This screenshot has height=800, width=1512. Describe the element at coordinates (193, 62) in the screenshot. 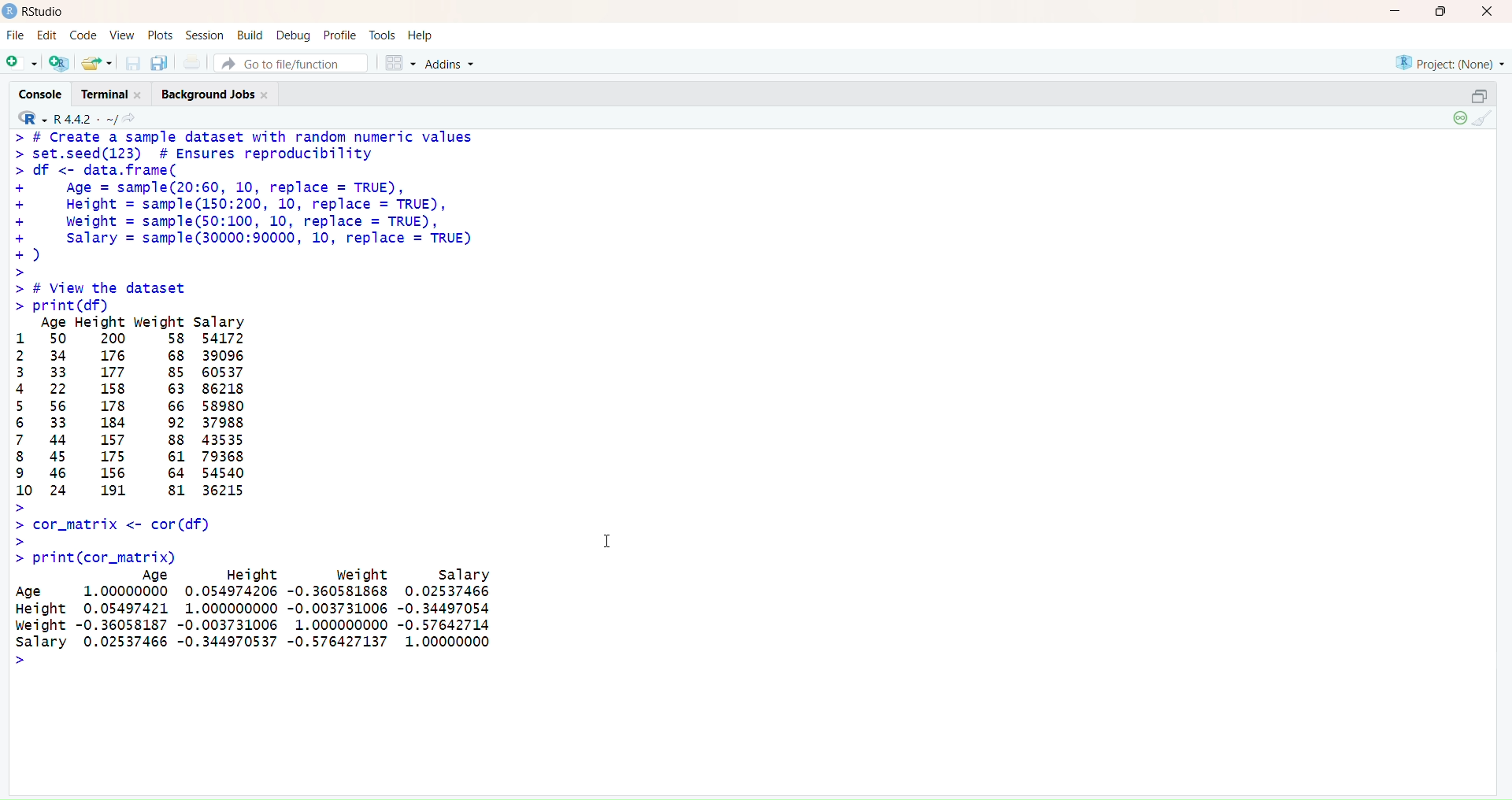

I see `Print the current file` at that location.